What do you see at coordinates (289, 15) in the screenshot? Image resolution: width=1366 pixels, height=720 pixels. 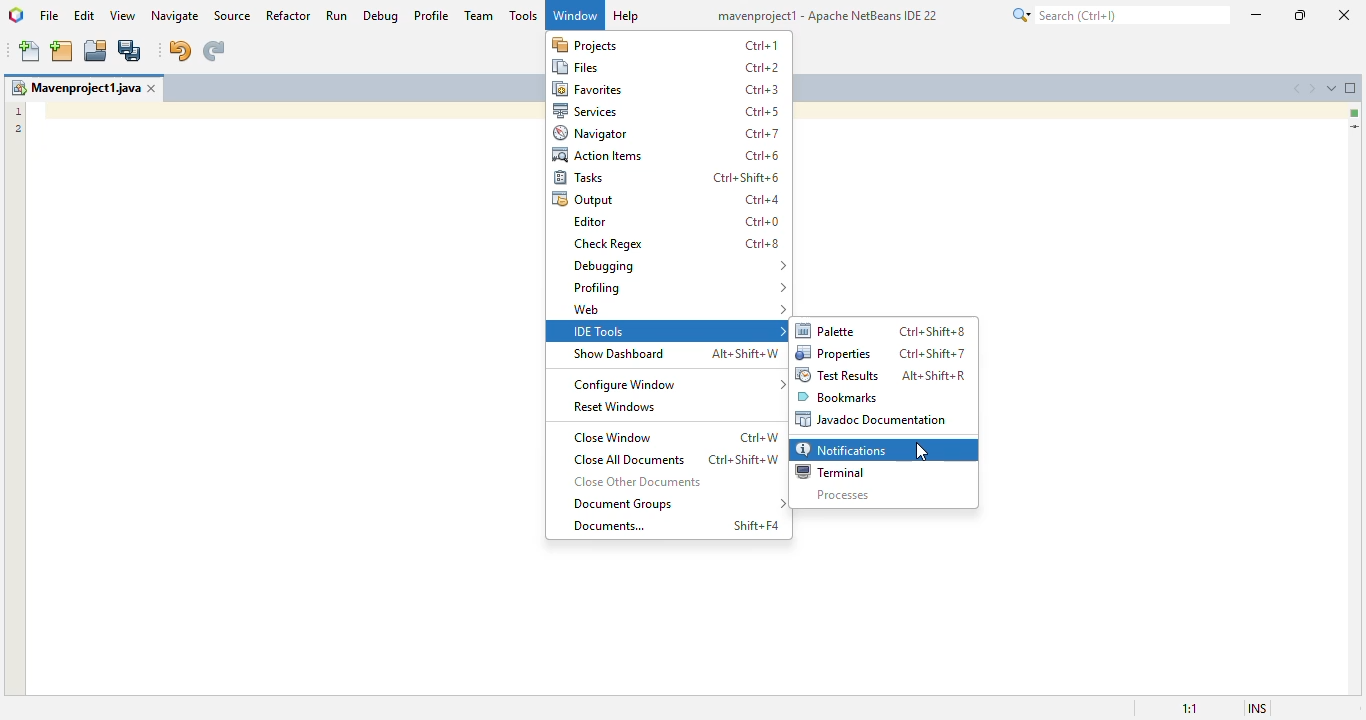 I see `refactor` at bounding box center [289, 15].